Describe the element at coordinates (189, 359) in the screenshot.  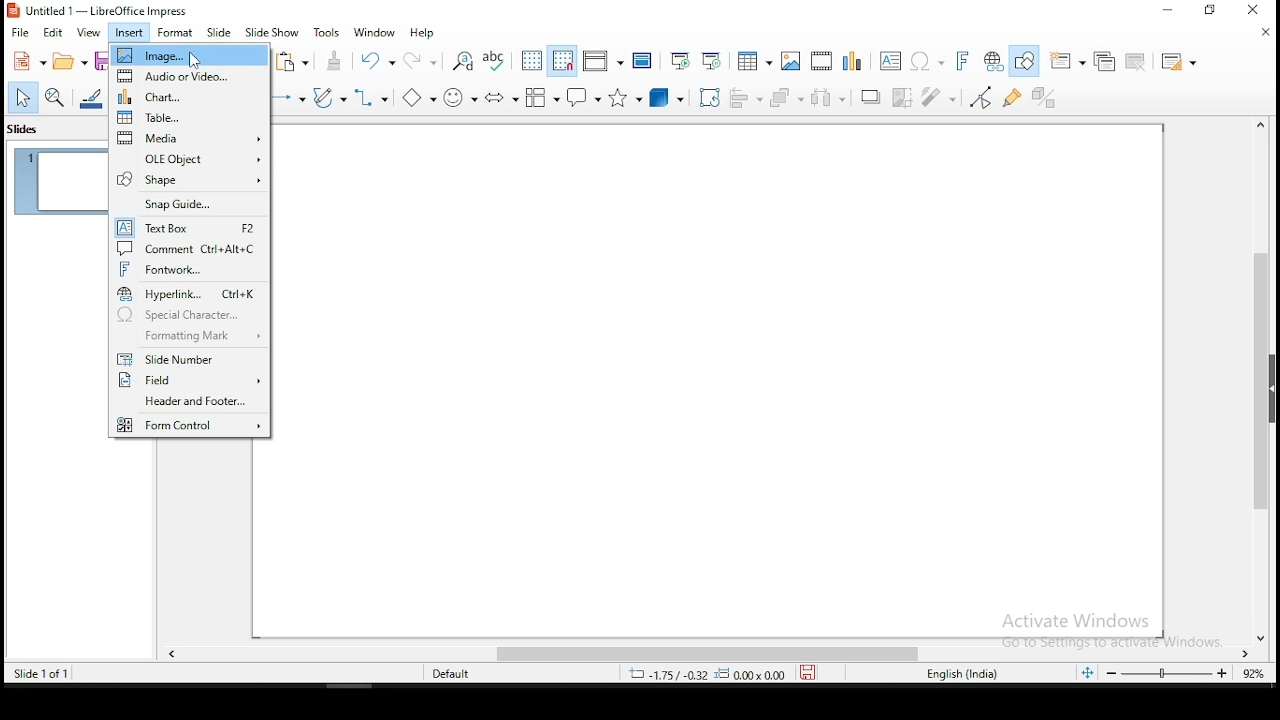
I see `slide number` at that location.